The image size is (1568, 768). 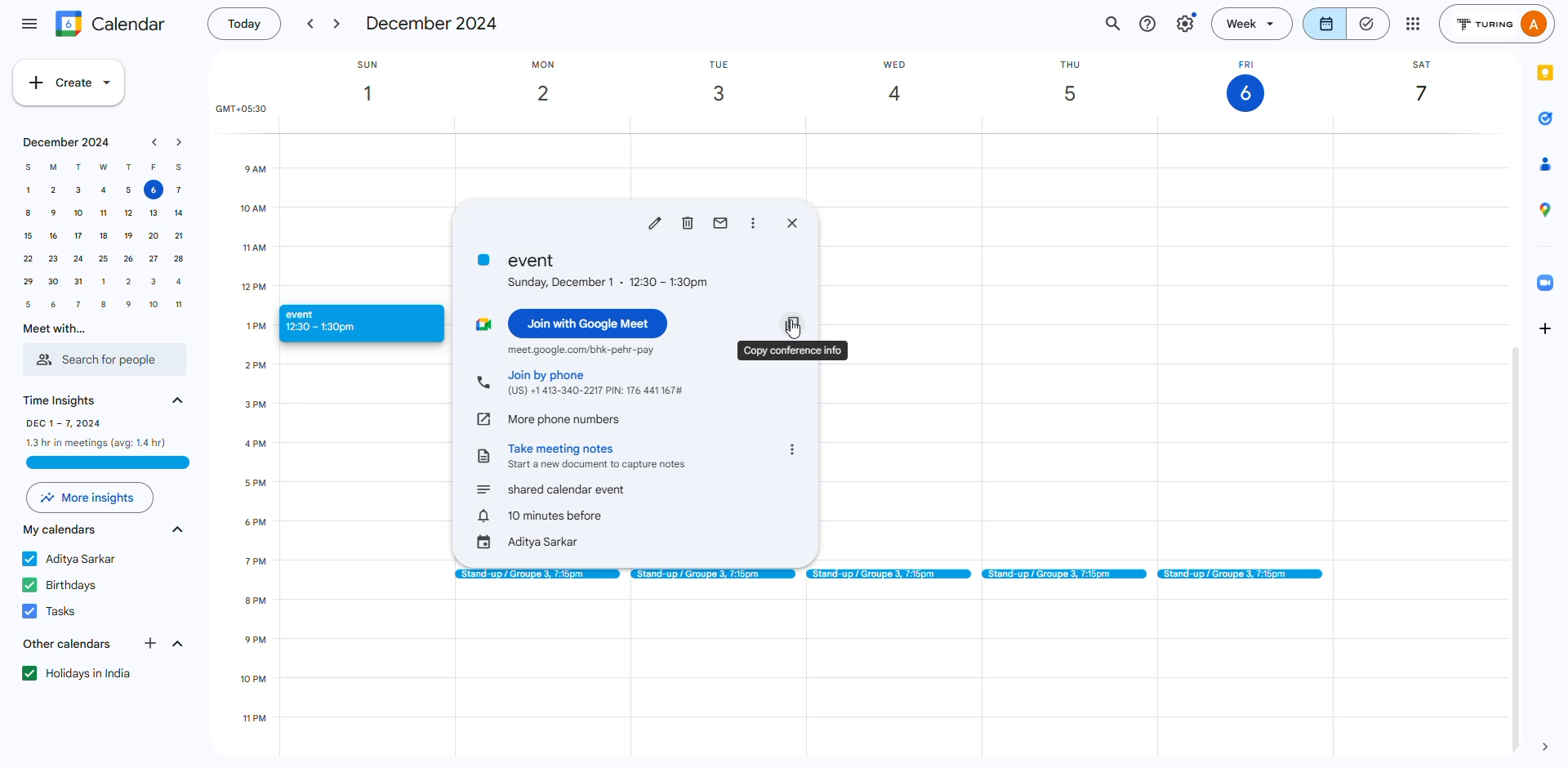 I want to click on edit, so click(x=655, y=222).